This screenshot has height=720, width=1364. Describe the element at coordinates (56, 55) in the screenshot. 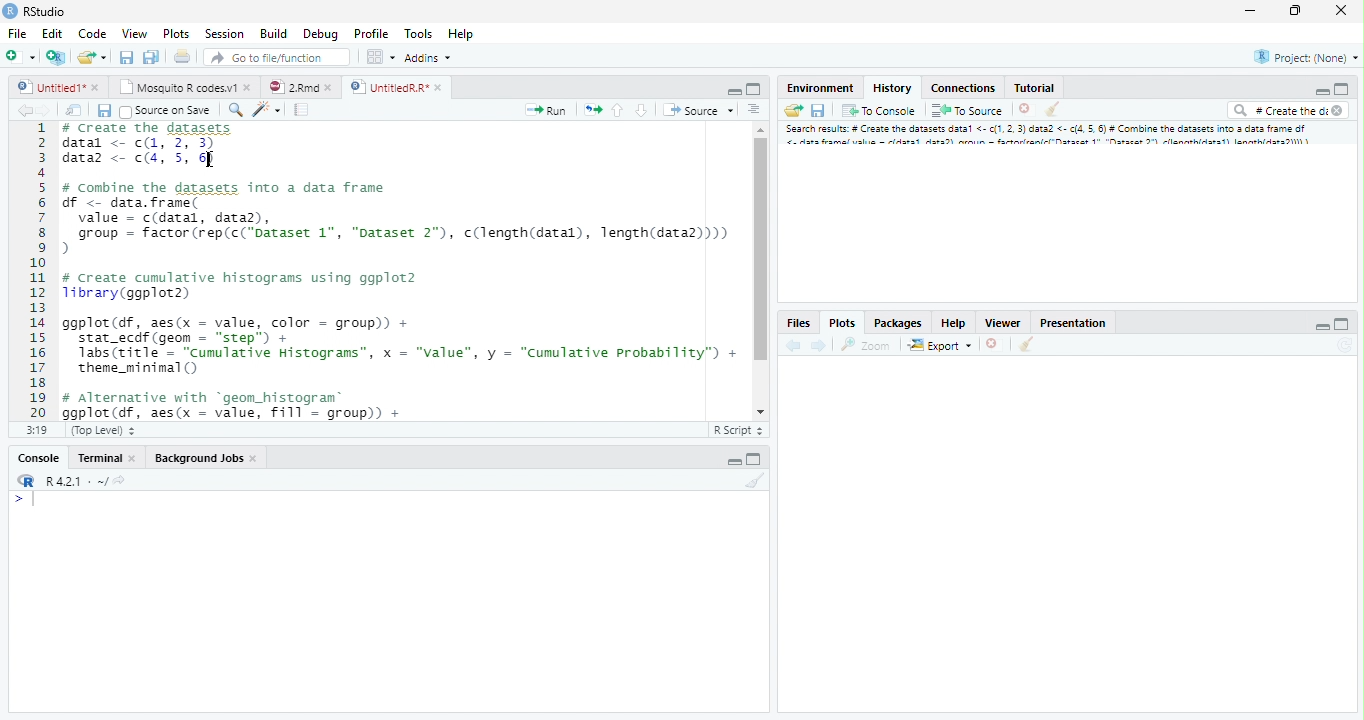

I see `Create a project` at that location.